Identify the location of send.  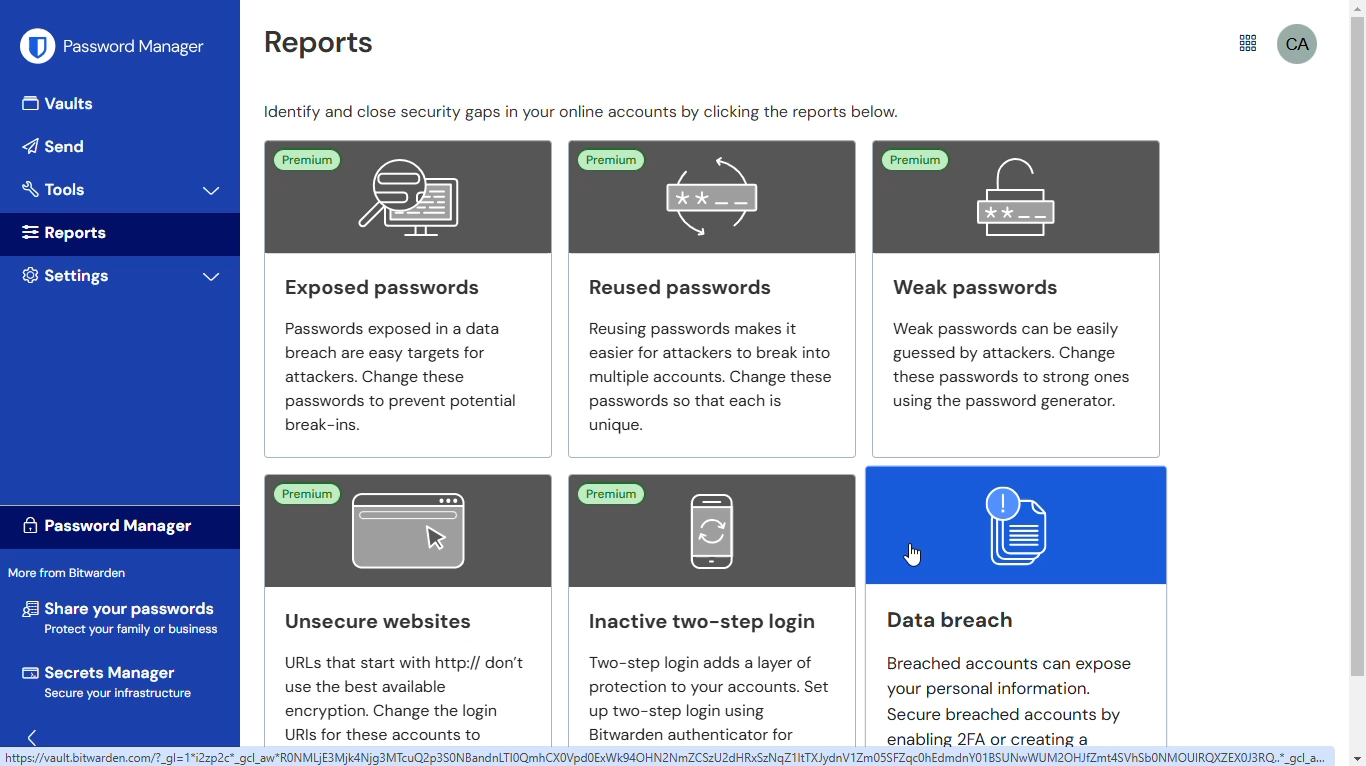
(56, 146).